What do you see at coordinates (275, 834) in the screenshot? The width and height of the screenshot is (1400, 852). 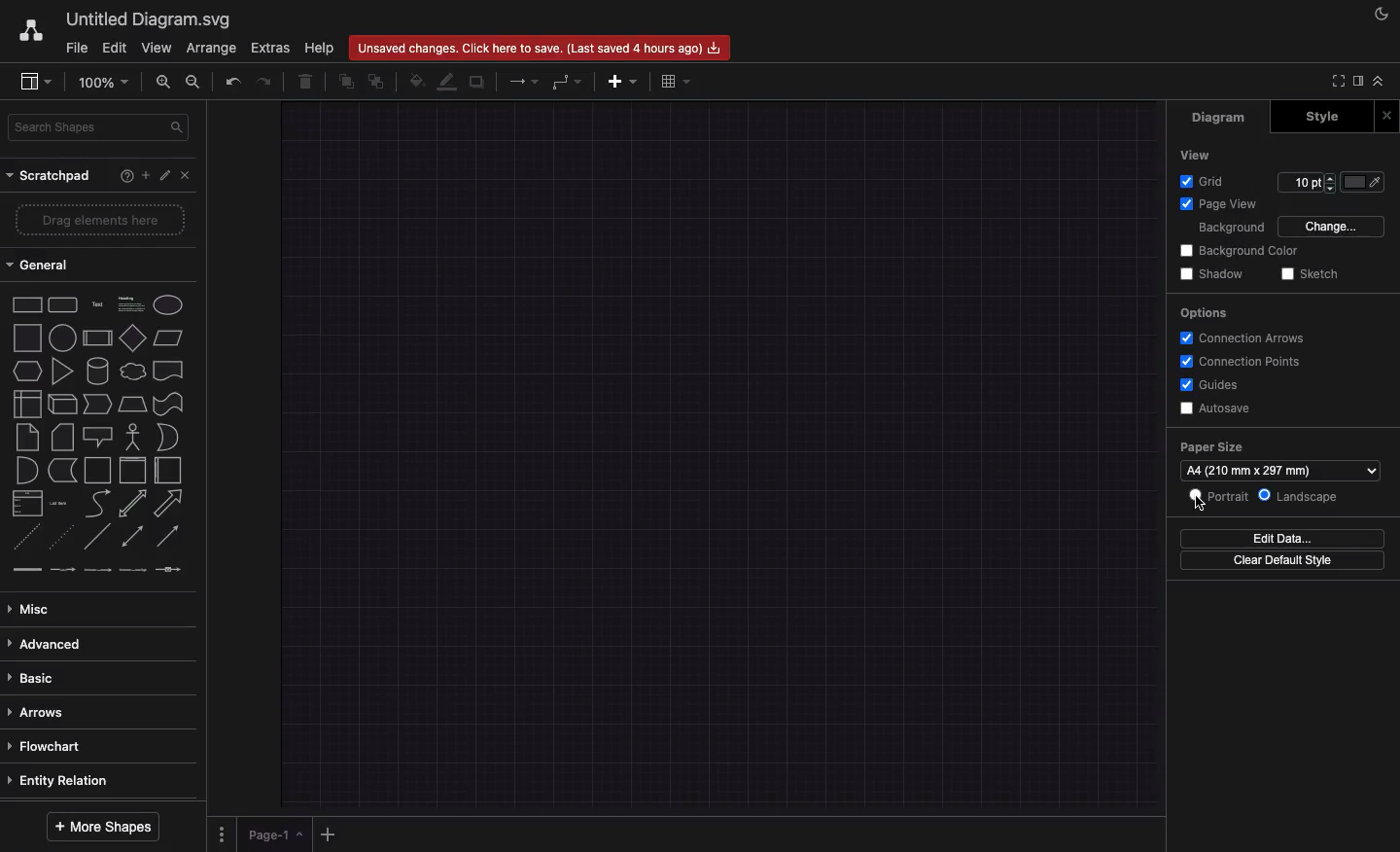 I see `Page 1` at bounding box center [275, 834].